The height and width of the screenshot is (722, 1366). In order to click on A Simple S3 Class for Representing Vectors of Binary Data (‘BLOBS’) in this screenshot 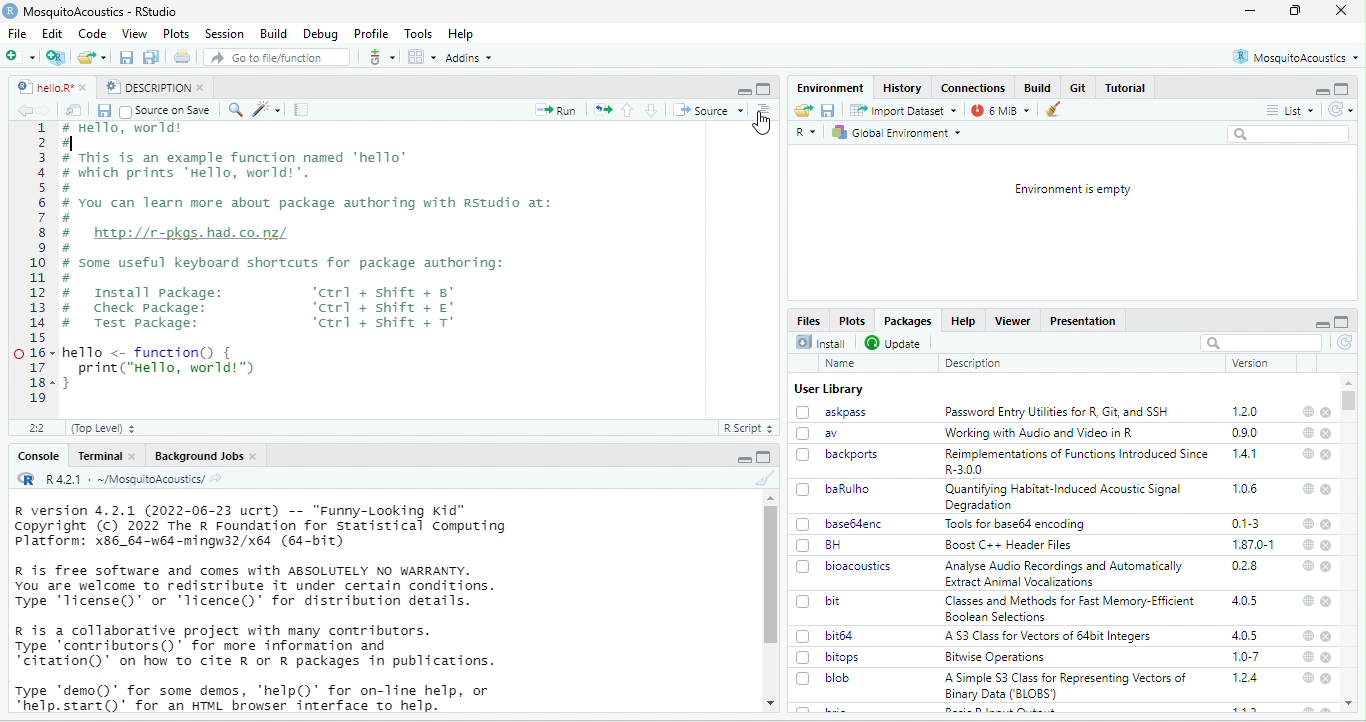, I will do `click(1067, 686)`.